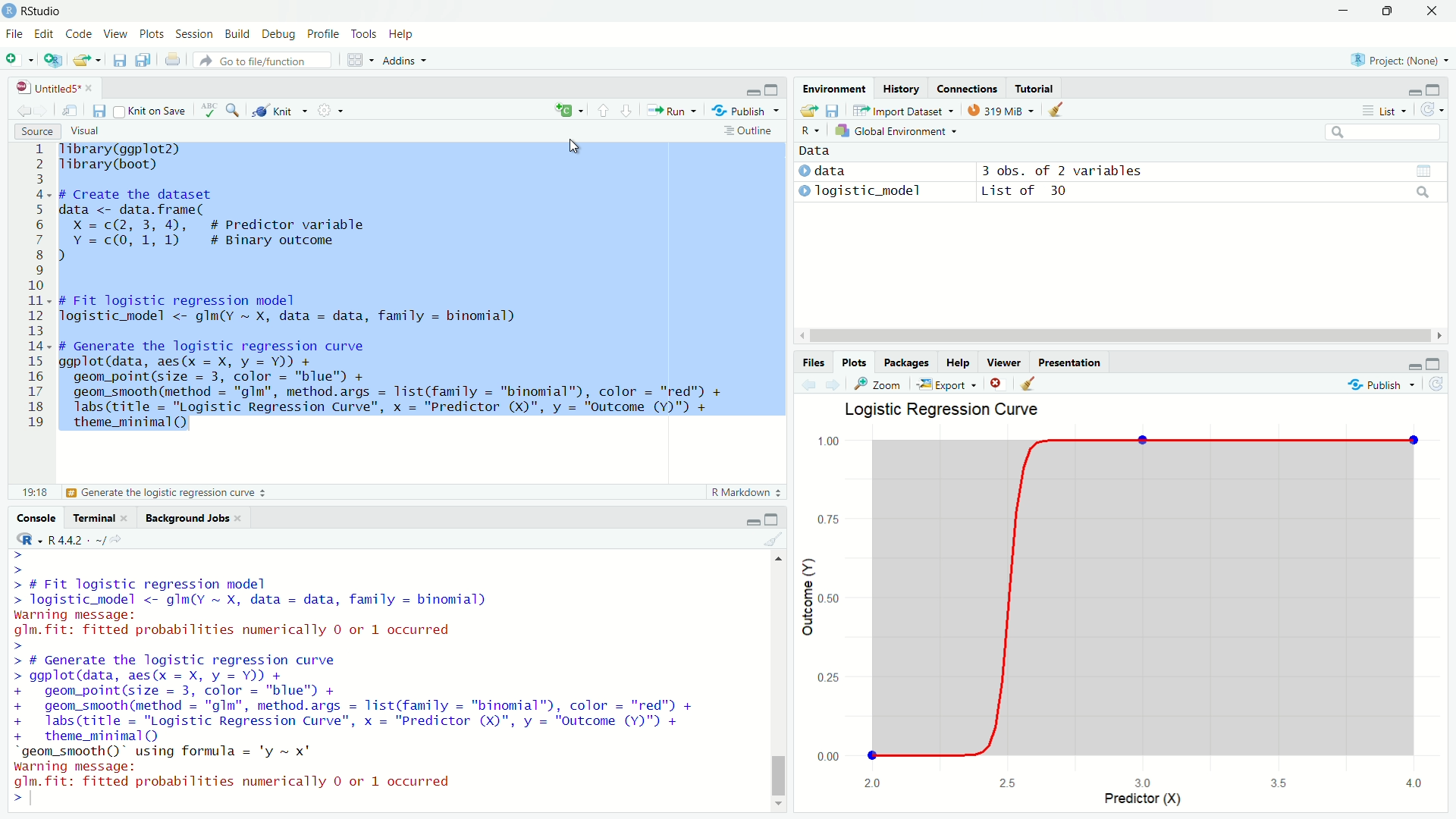 This screenshot has width=1456, height=819. What do you see at coordinates (833, 384) in the screenshot?
I see `Next plot` at bounding box center [833, 384].